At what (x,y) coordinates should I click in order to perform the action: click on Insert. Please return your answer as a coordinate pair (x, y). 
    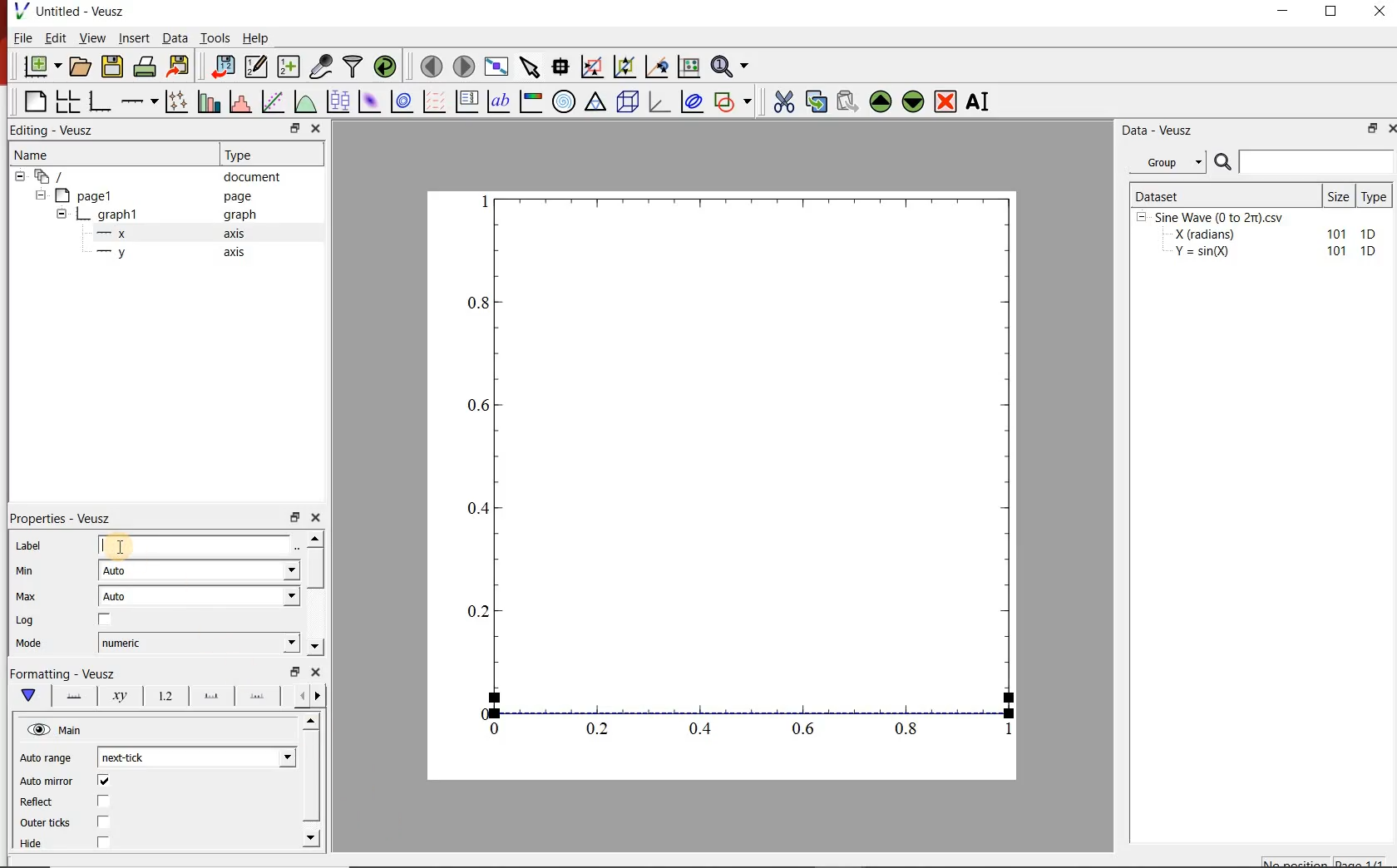
    Looking at the image, I should click on (135, 37).